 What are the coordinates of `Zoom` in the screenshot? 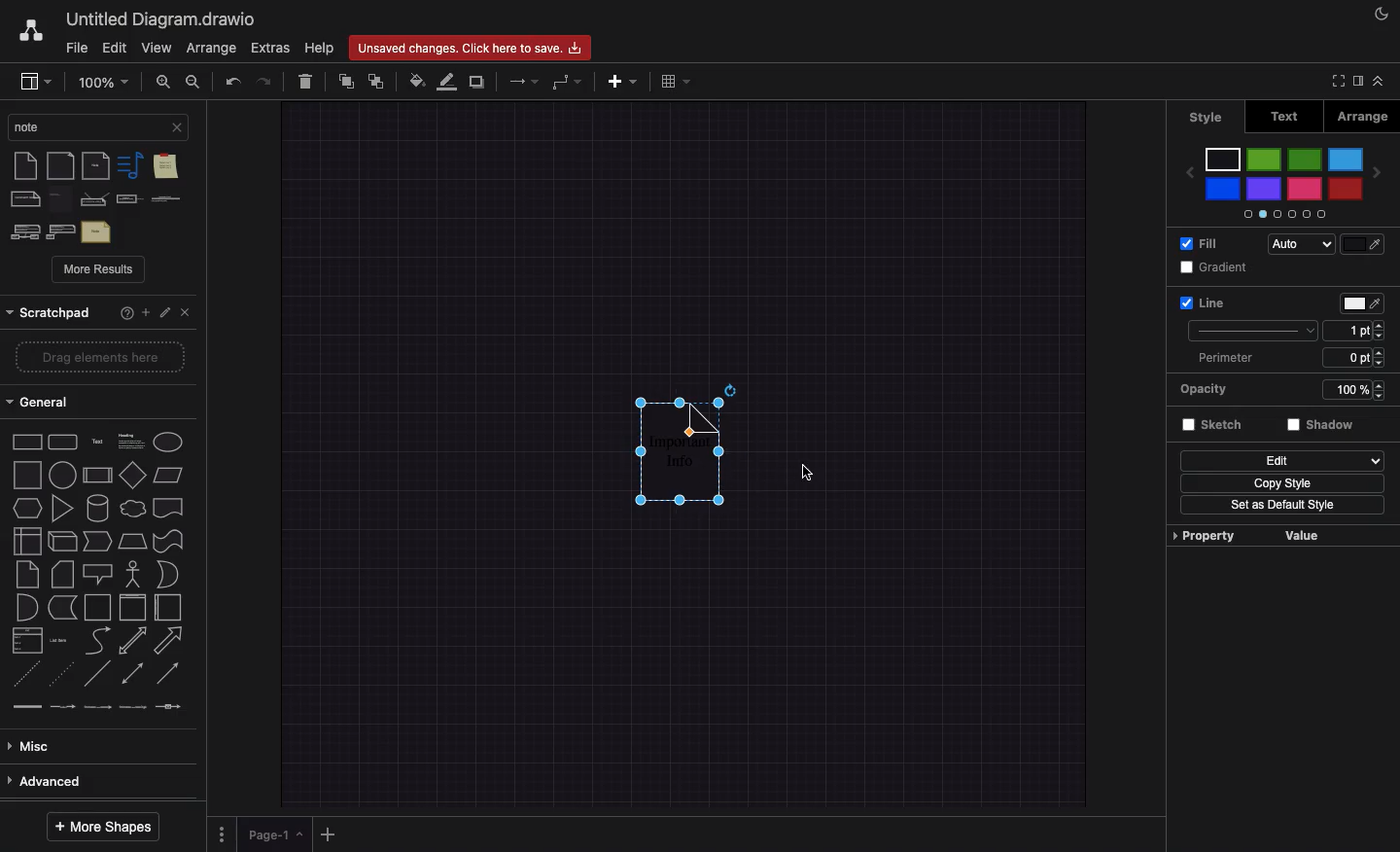 It's located at (102, 81).